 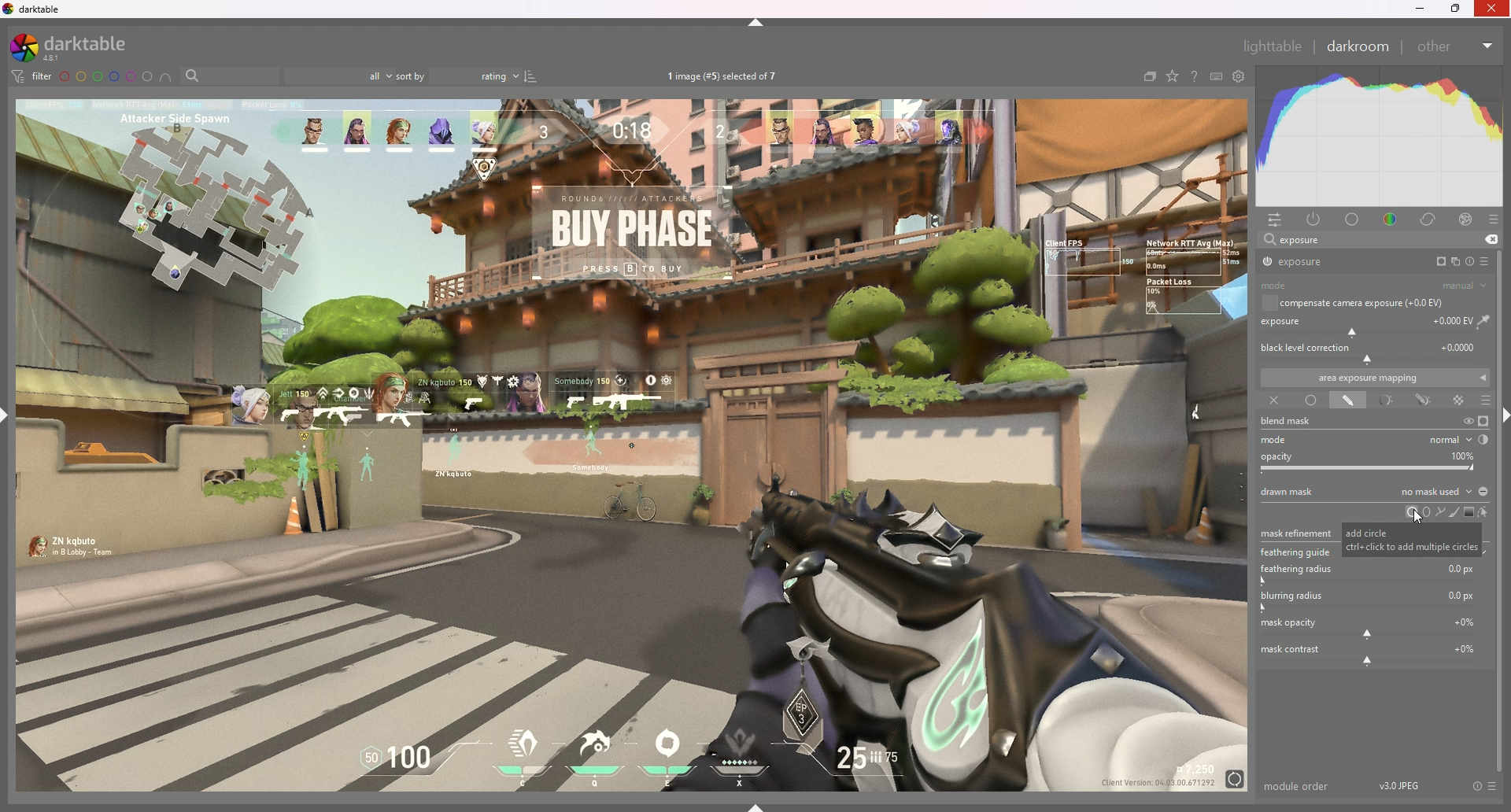 What do you see at coordinates (1347, 401) in the screenshot?
I see `drawn mask` at bounding box center [1347, 401].